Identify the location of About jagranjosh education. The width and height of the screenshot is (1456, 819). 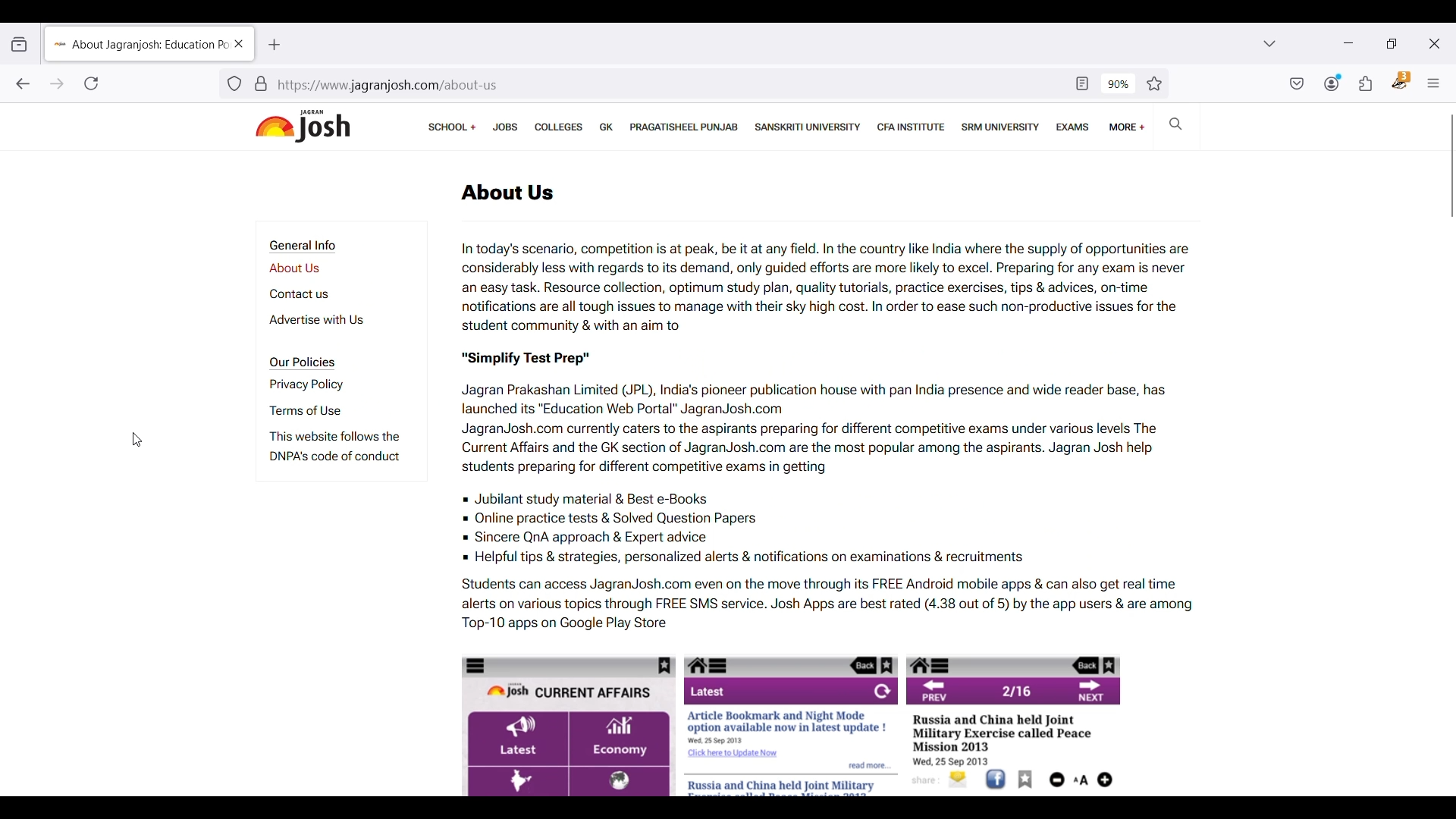
(136, 42).